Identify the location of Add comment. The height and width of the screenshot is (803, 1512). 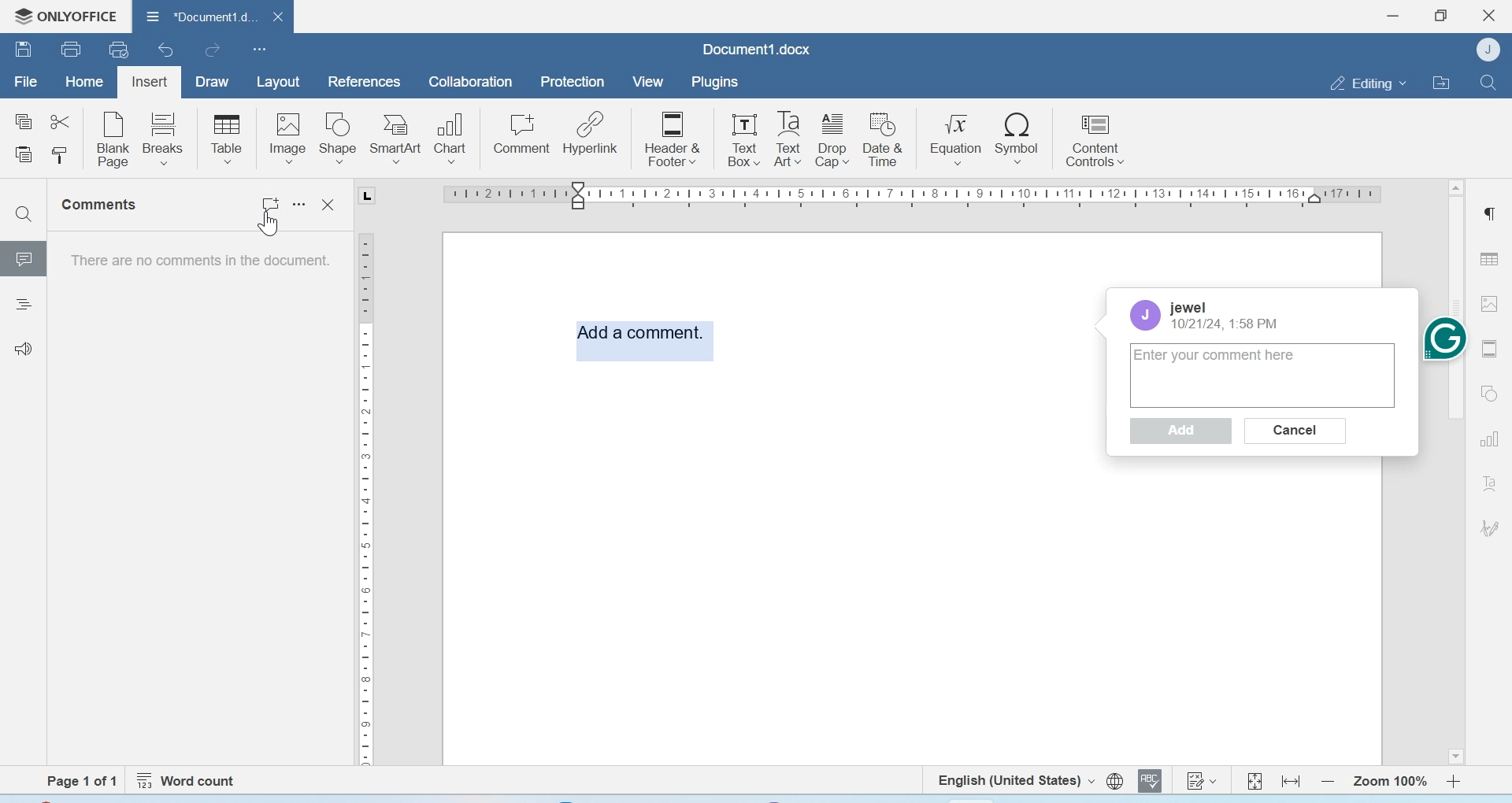
(640, 337).